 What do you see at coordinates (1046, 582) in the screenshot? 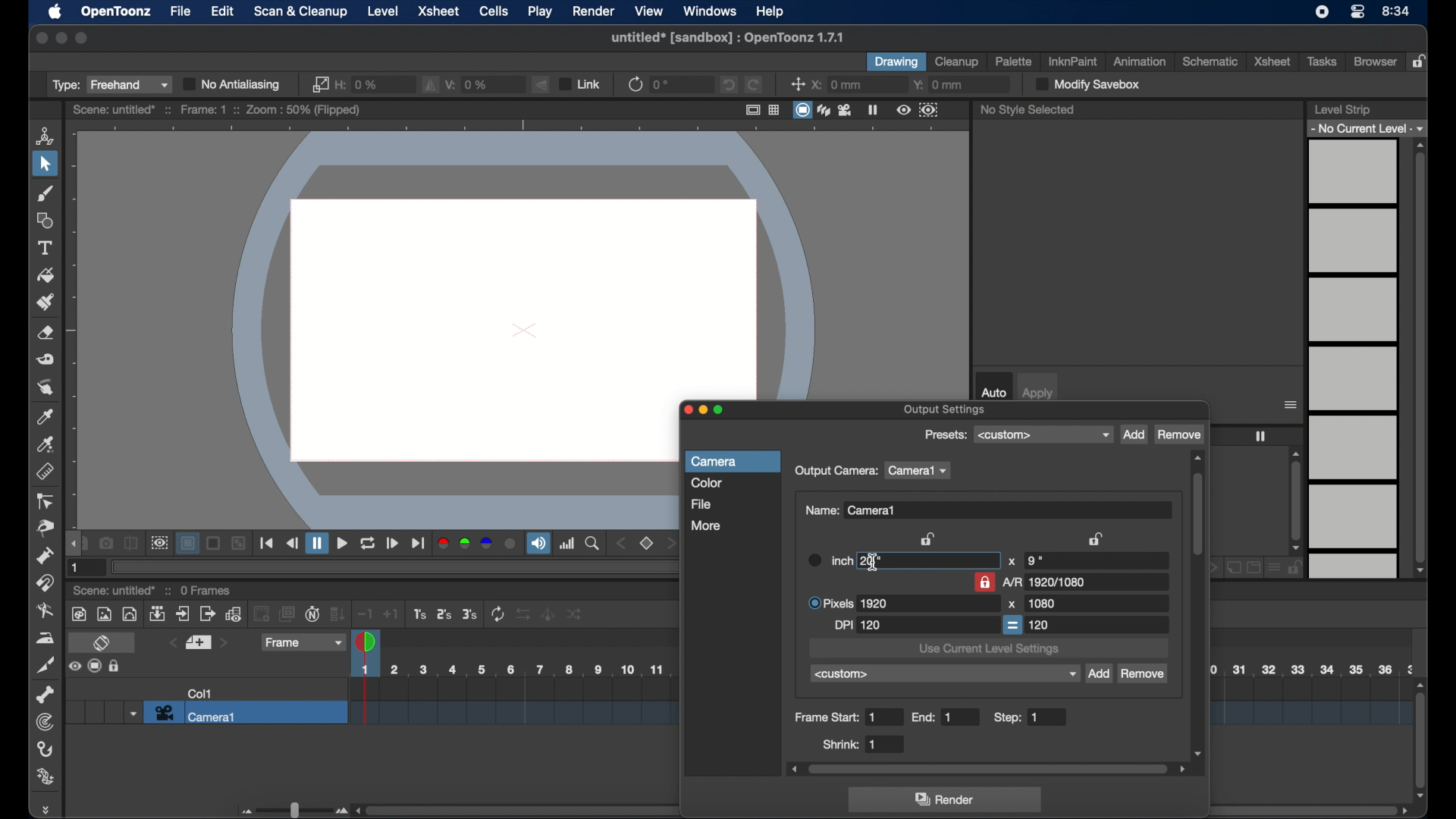
I see `A/R` at bounding box center [1046, 582].